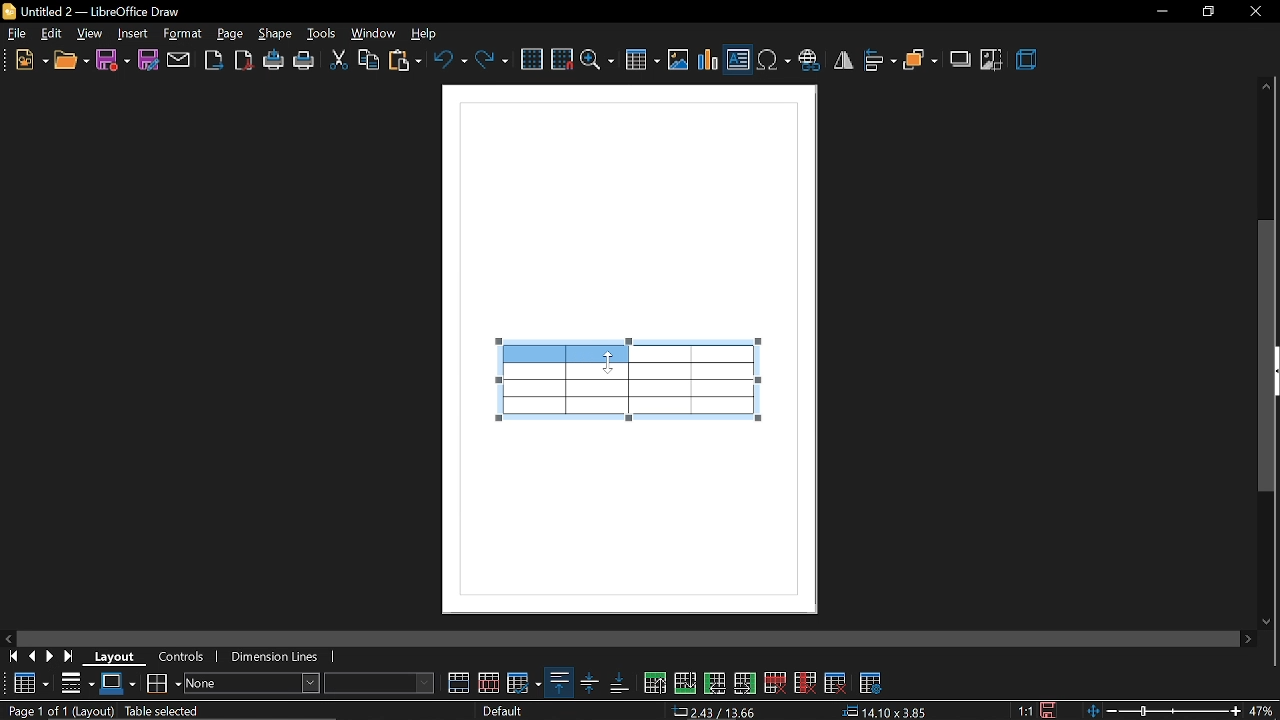 This screenshot has height=720, width=1280. Describe the element at coordinates (1050, 709) in the screenshot. I see `save` at that location.